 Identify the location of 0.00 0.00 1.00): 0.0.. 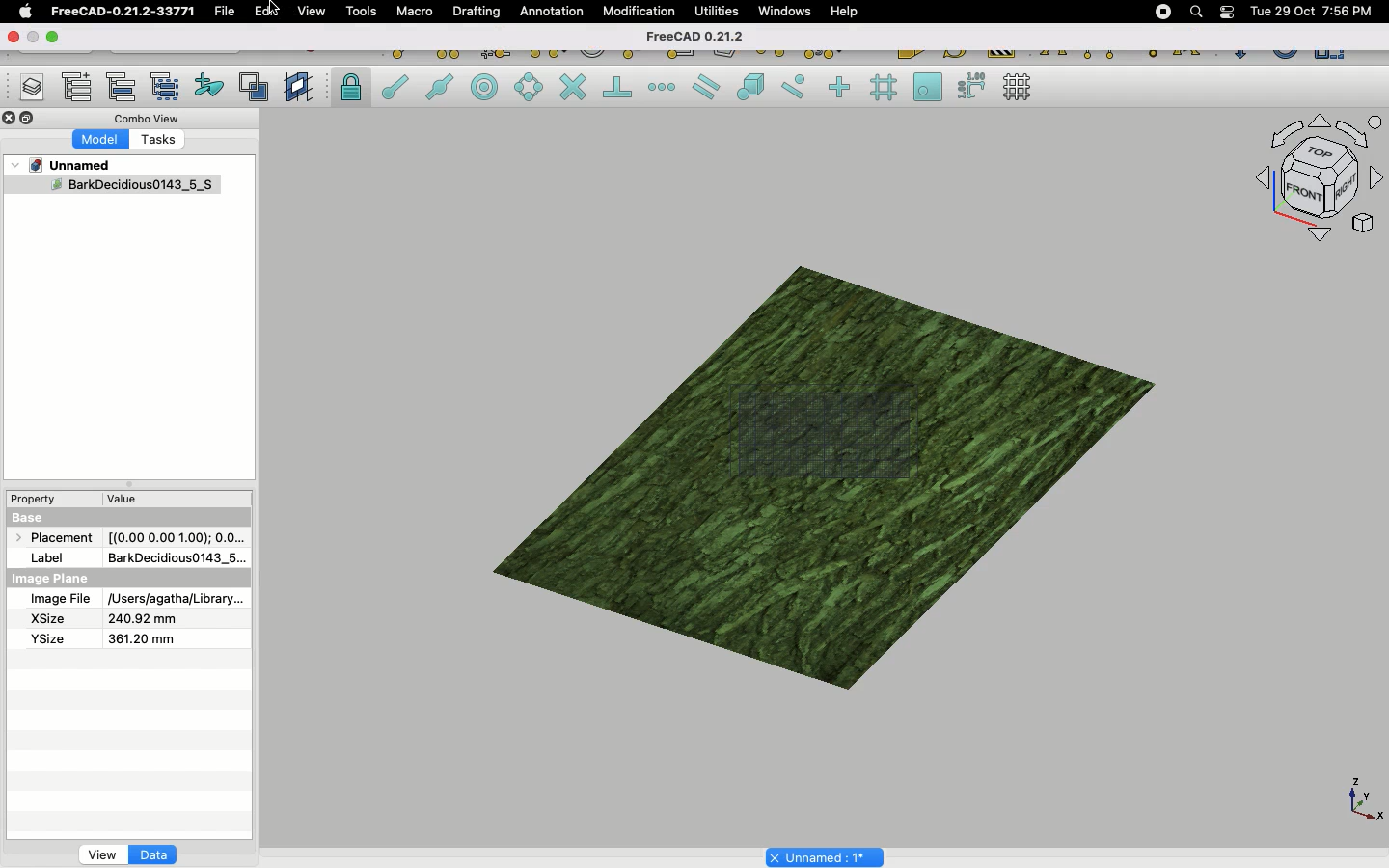
(177, 534).